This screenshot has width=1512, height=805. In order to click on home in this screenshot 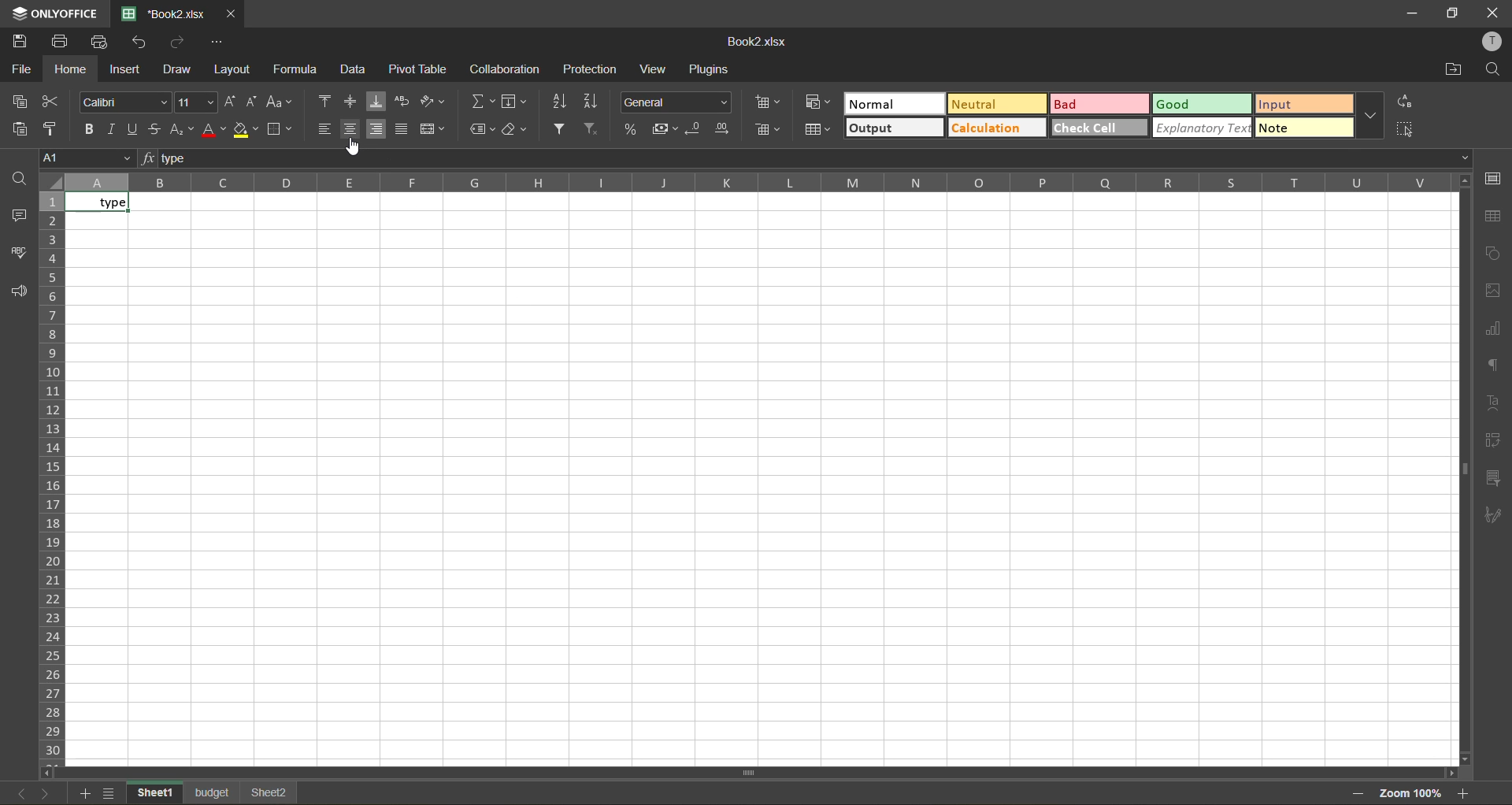, I will do `click(69, 71)`.